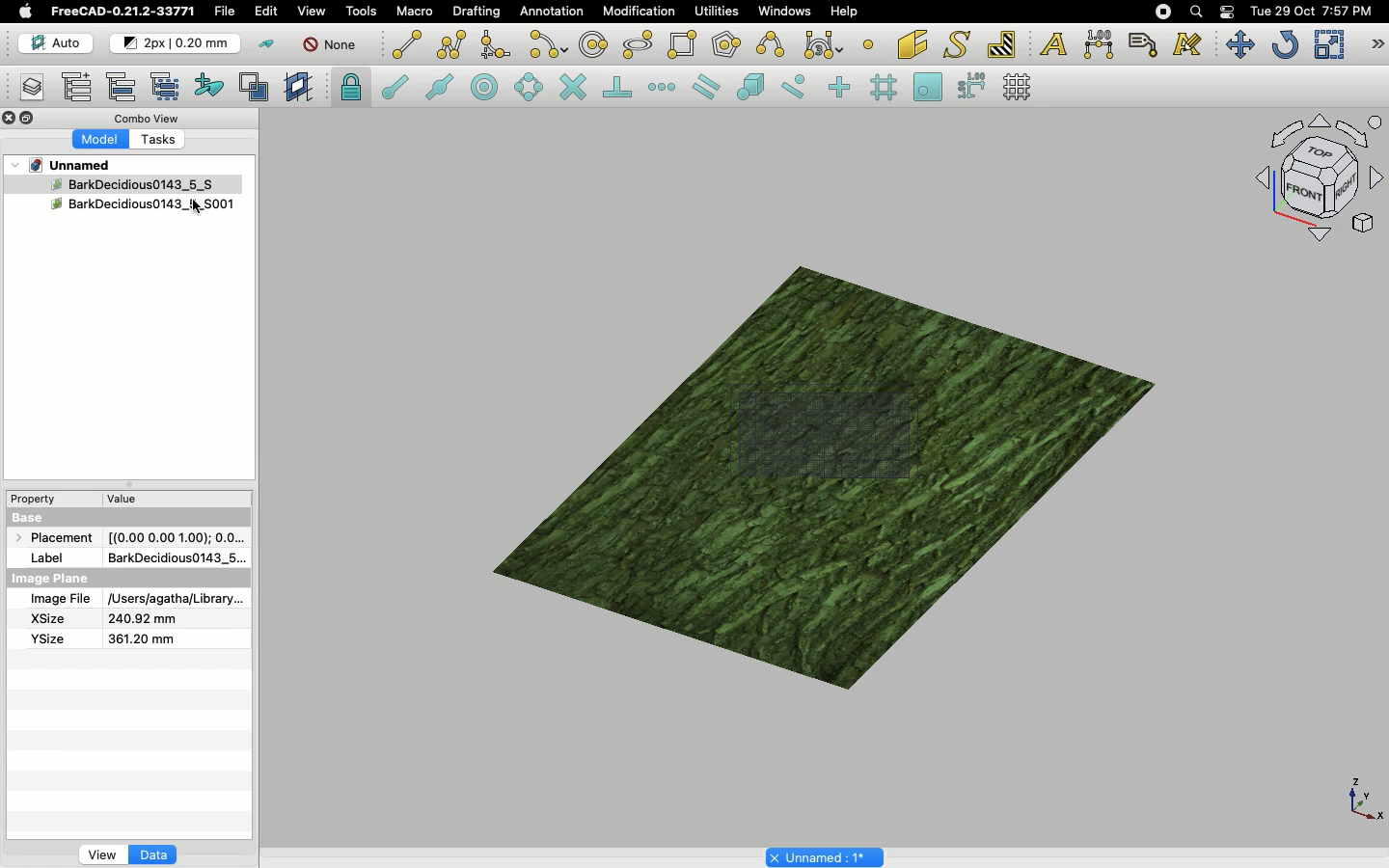 The width and height of the screenshot is (1389, 868). What do you see at coordinates (52, 556) in the screenshot?
I see `label` at bounding box center [52, 556].